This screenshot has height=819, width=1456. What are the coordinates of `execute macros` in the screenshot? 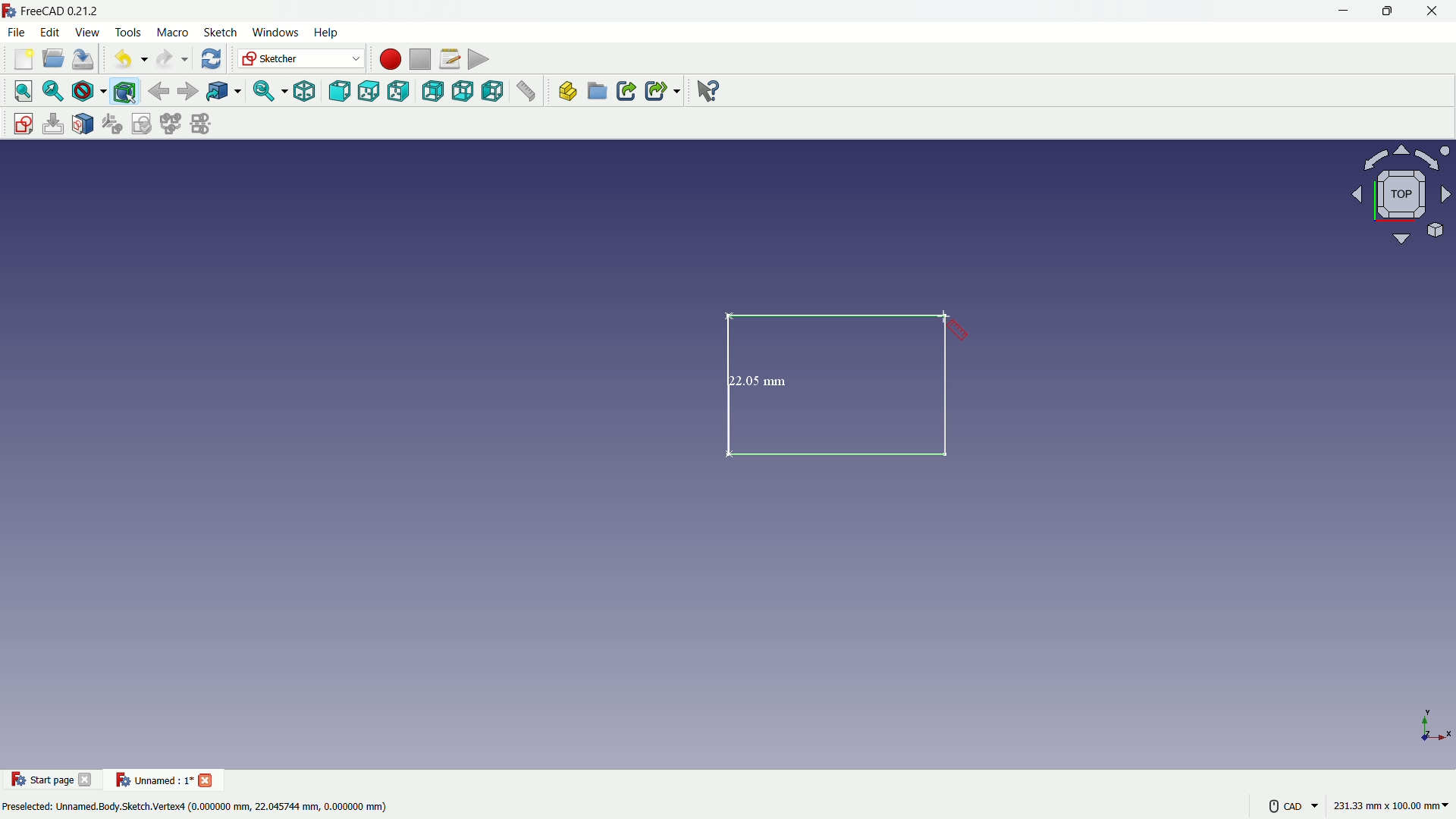 It's located at (479, 61).